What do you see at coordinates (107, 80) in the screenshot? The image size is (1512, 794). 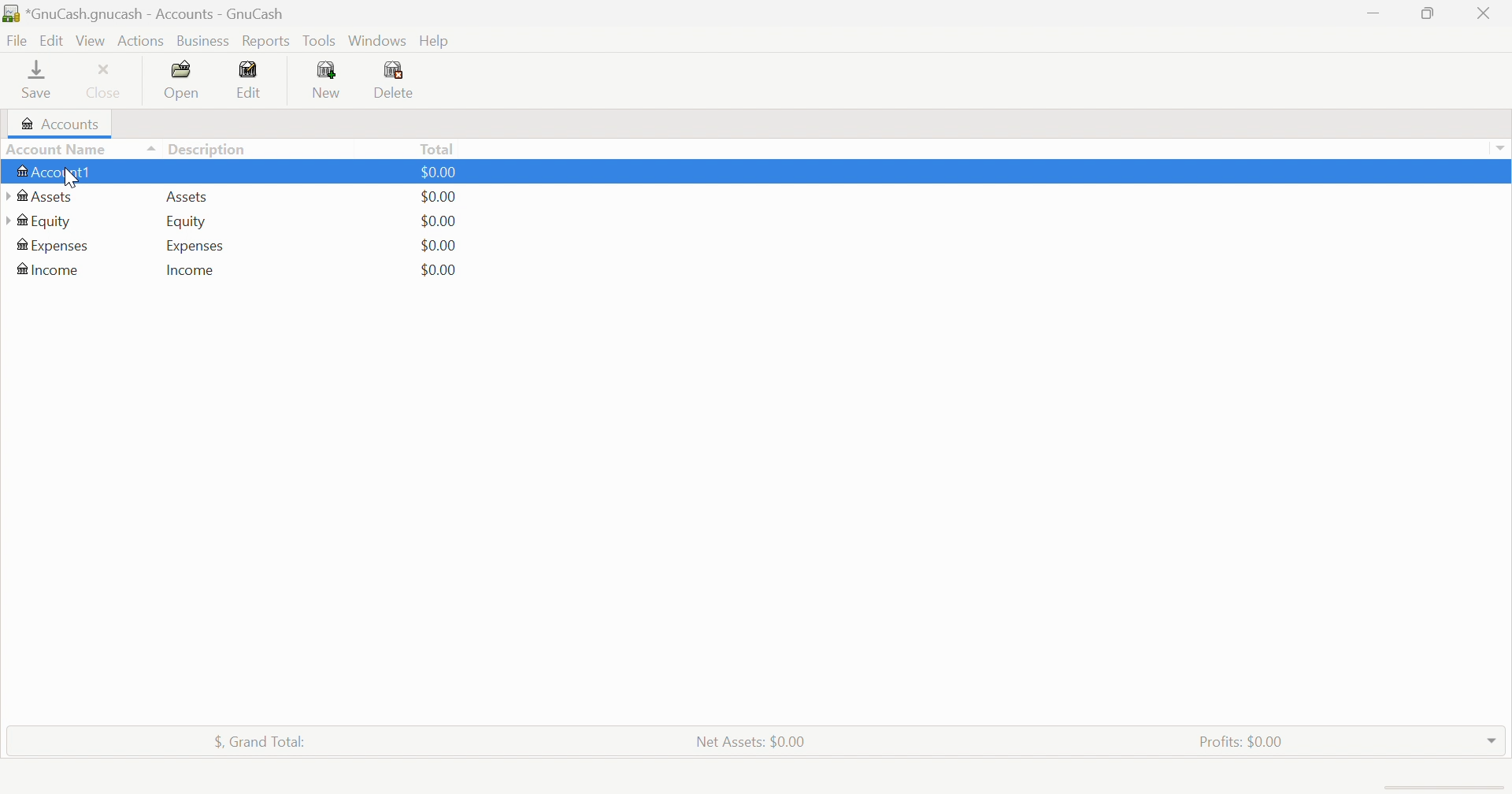 I see `Close` at bounding box center [107, 80].